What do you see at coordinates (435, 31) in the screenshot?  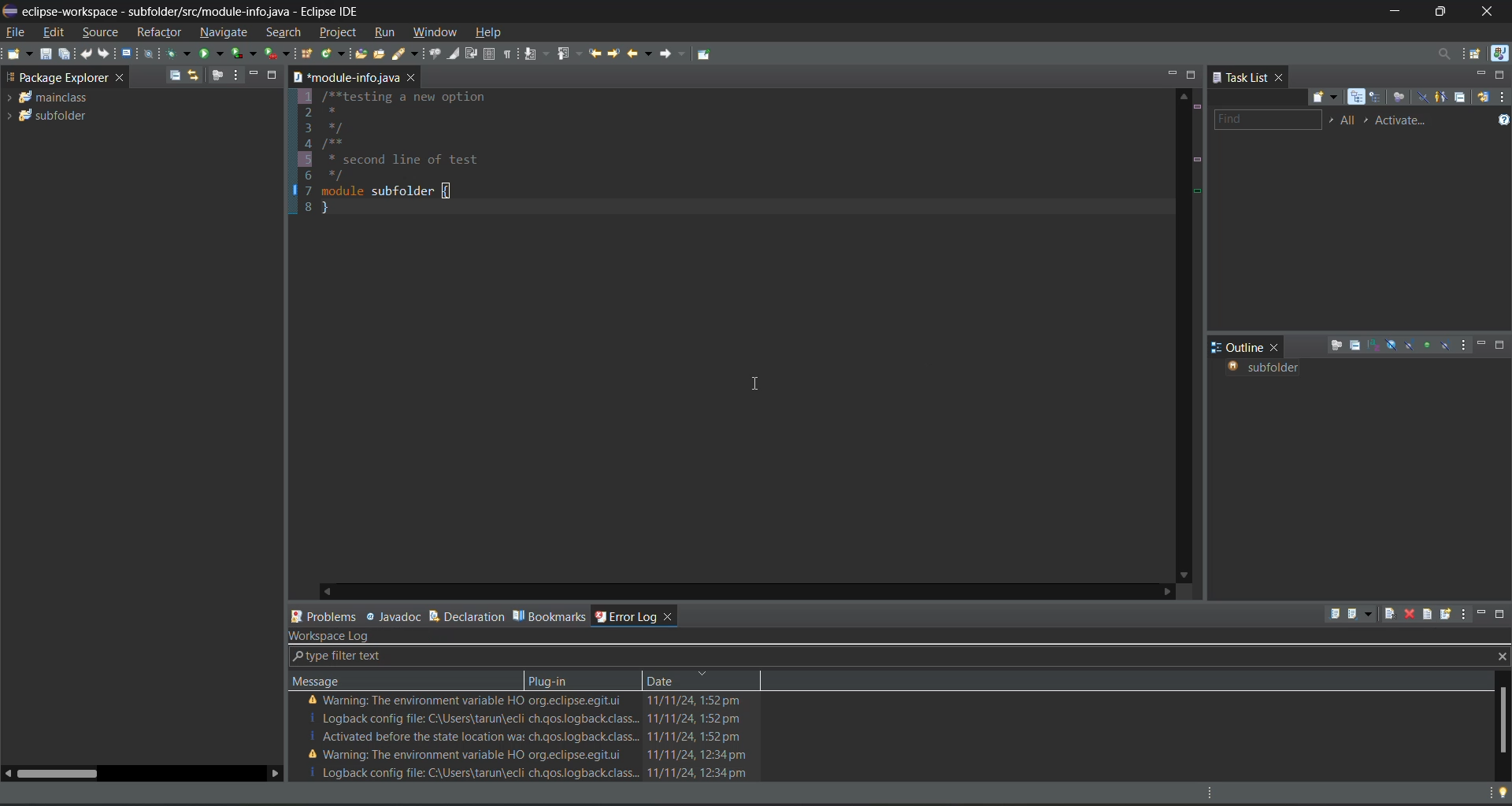 I see `window` at bounding box center [435, 31].